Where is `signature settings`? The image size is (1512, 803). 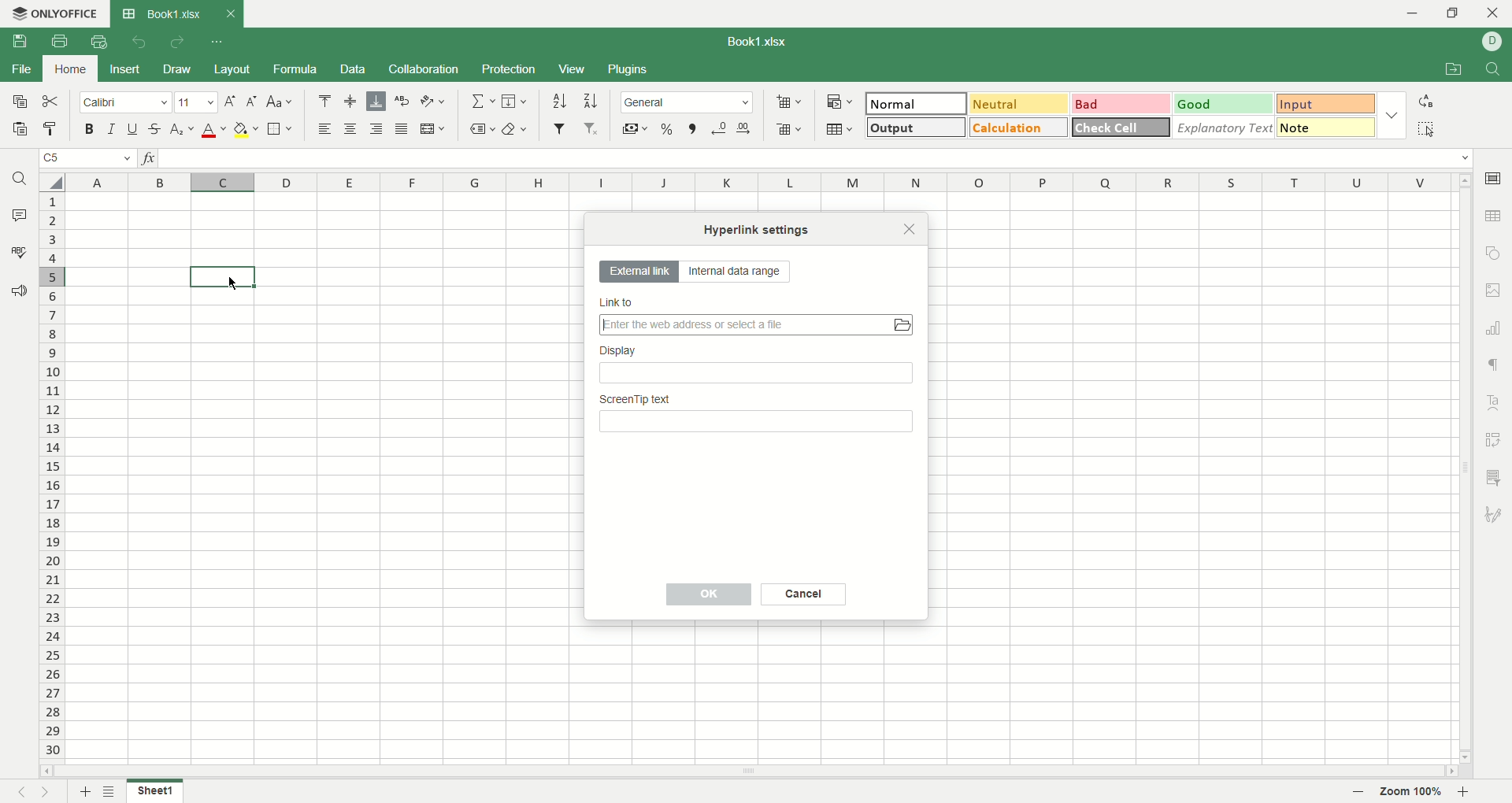 signature settings is located at coordinates (1494, 516).